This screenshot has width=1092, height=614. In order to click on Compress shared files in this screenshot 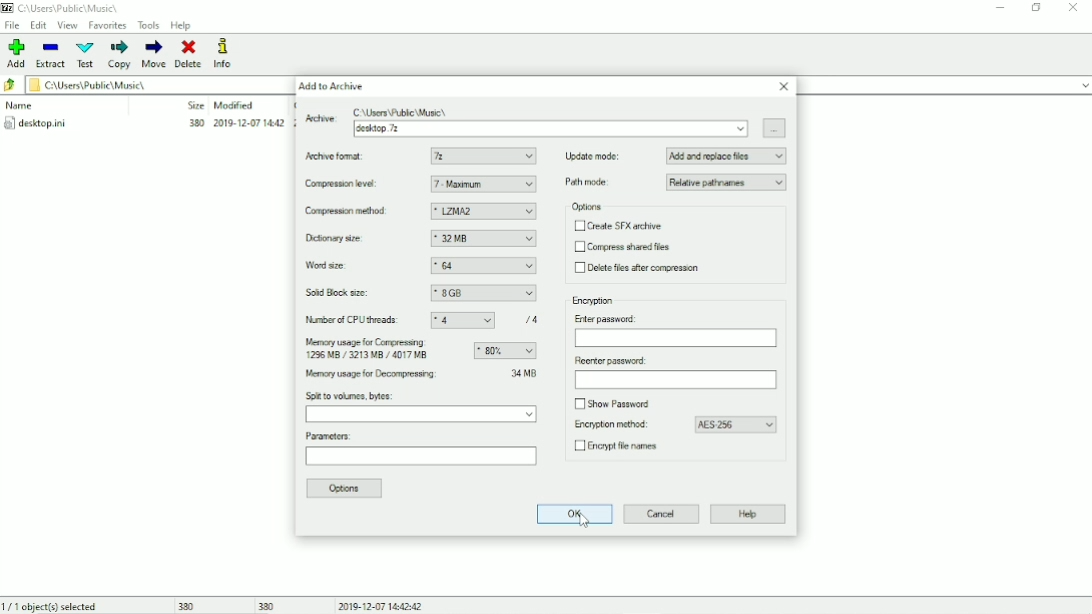, I will do `click(624, 247)`.